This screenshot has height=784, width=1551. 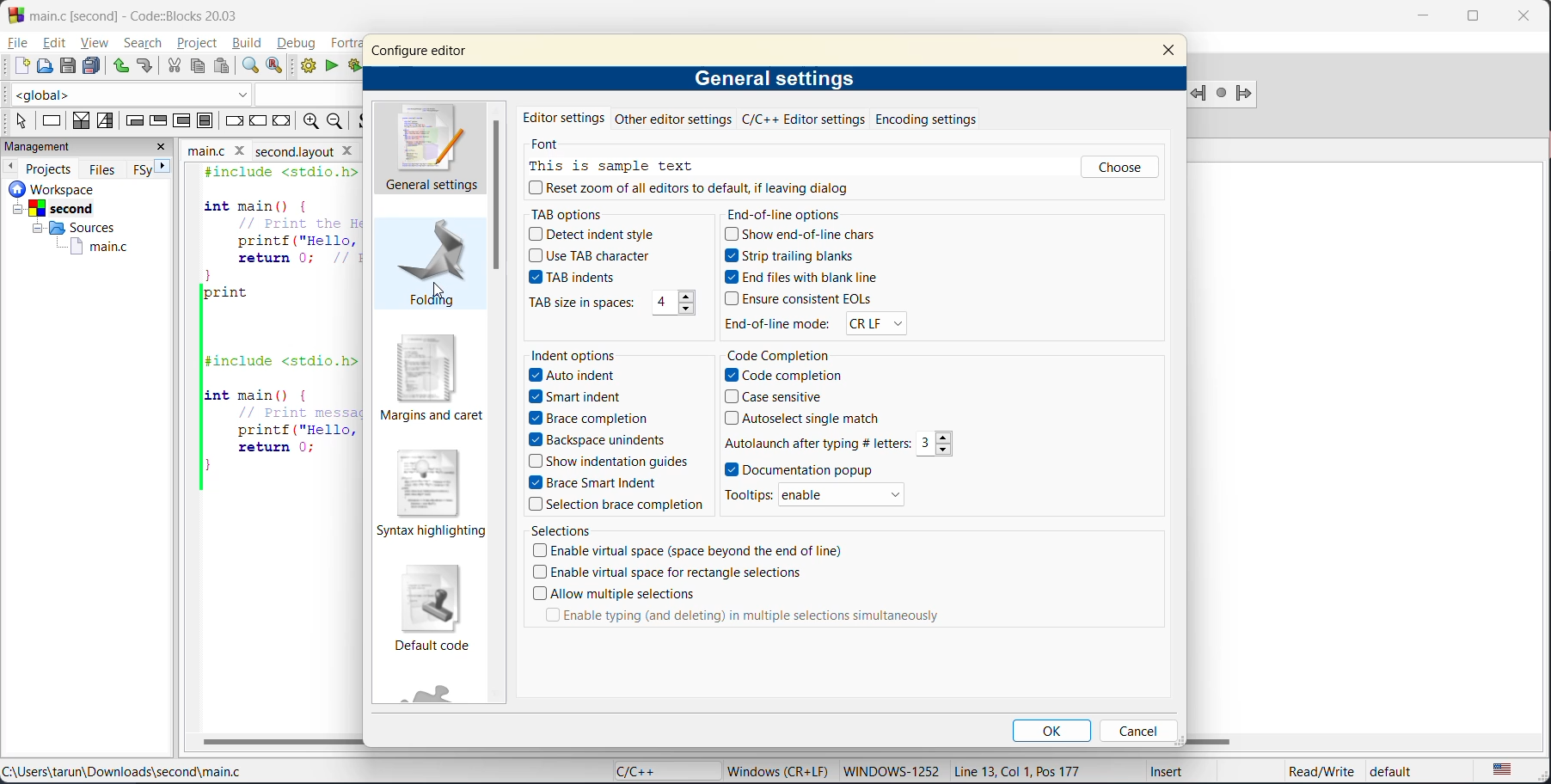 What do you see at coordinates (43, 67) in the screenshot?
I see `open` at bounding box center [43, 67].